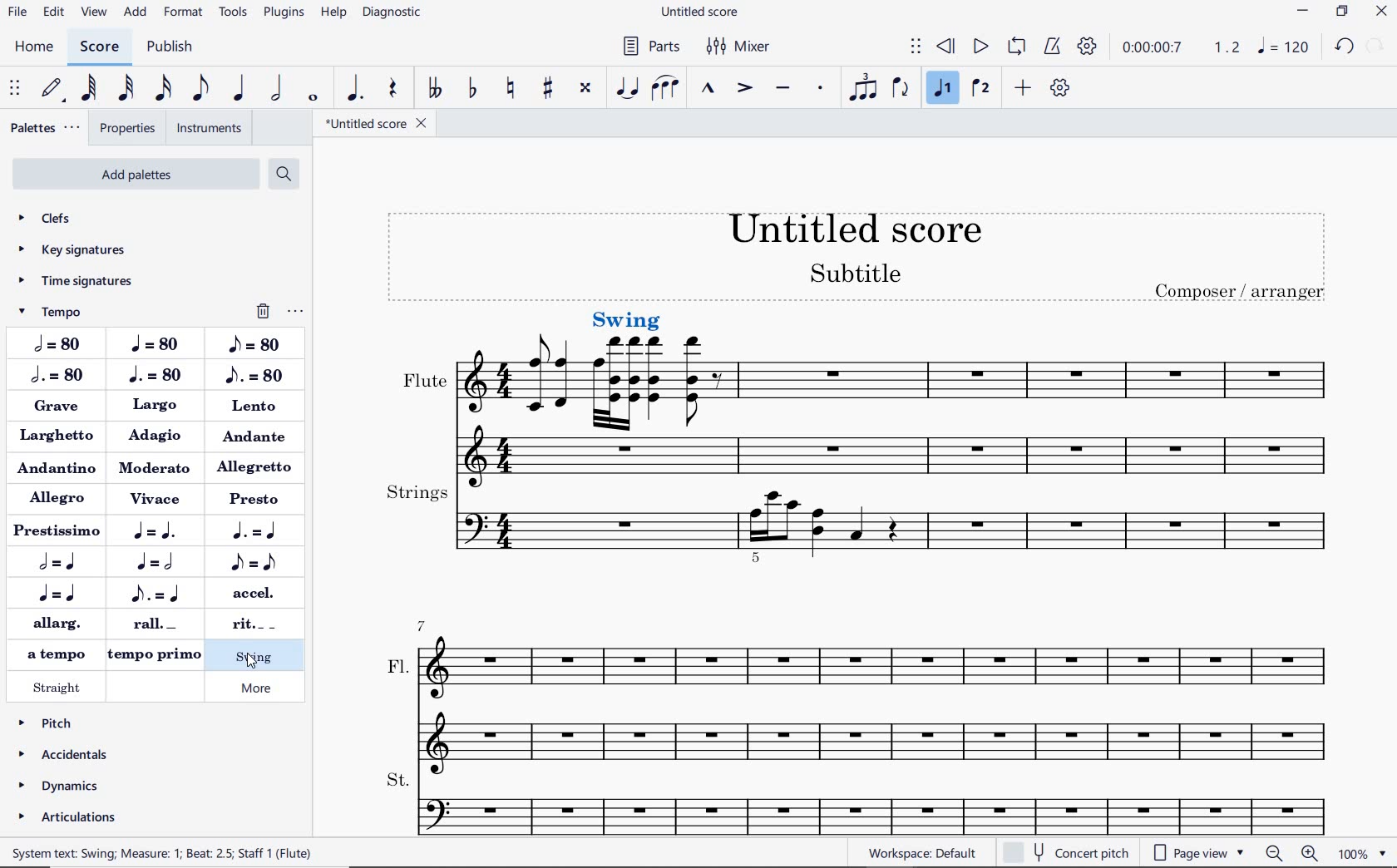  I want to click on key signatures, so click(82, 250).